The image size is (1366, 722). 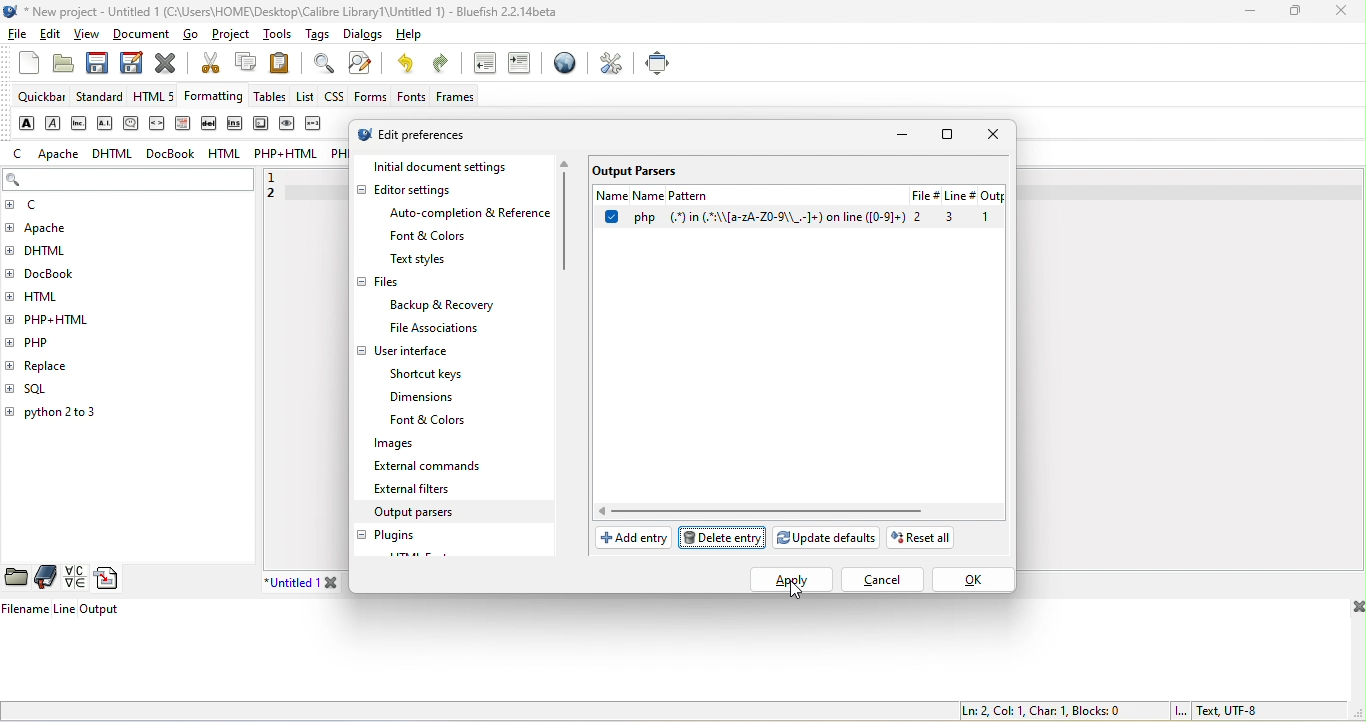 What do you see at coordinates (904, 136) in the screenshot?
I see `minimize` at bounding box center [904, 136].